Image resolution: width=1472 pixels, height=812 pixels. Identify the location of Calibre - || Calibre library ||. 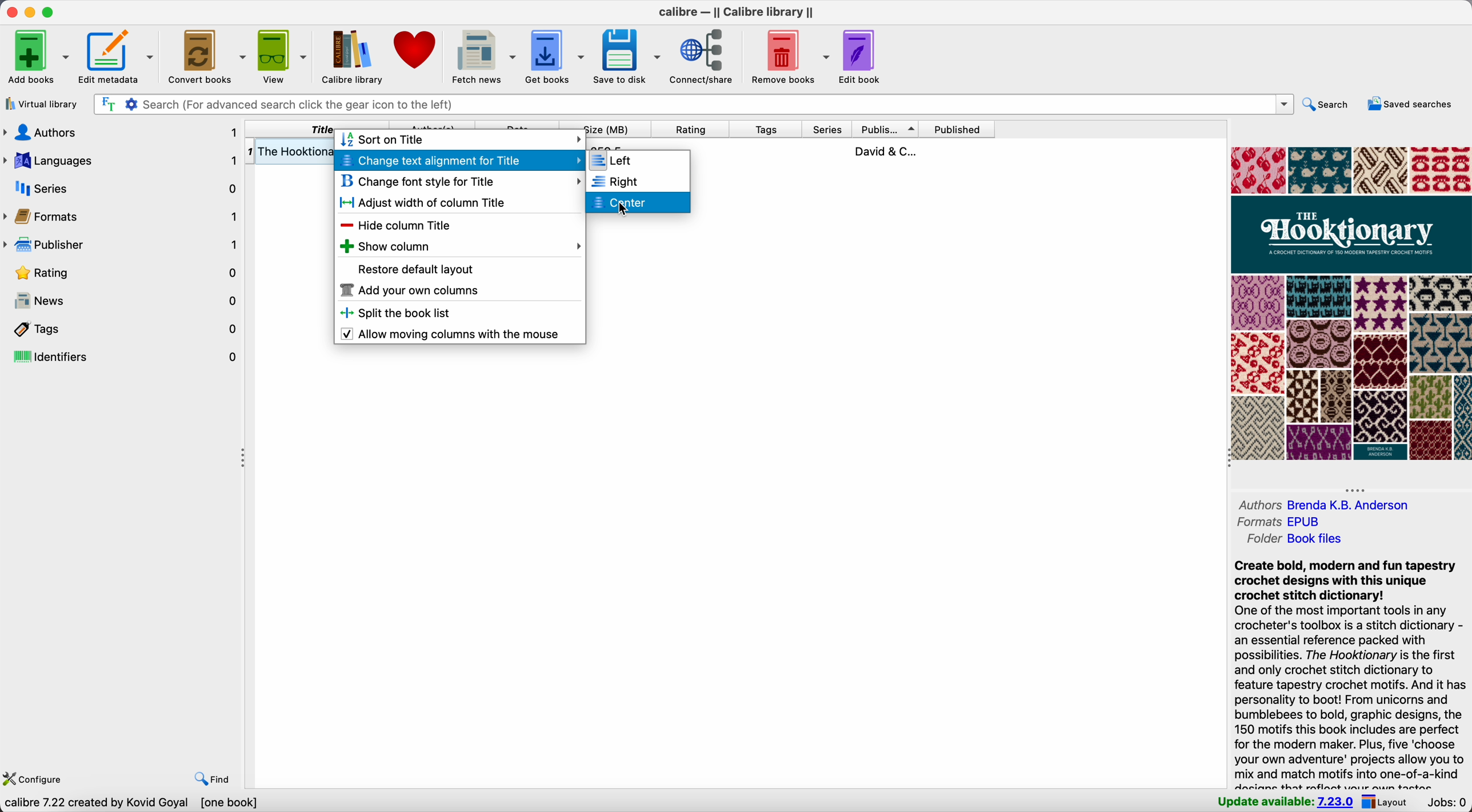
(739, 13).